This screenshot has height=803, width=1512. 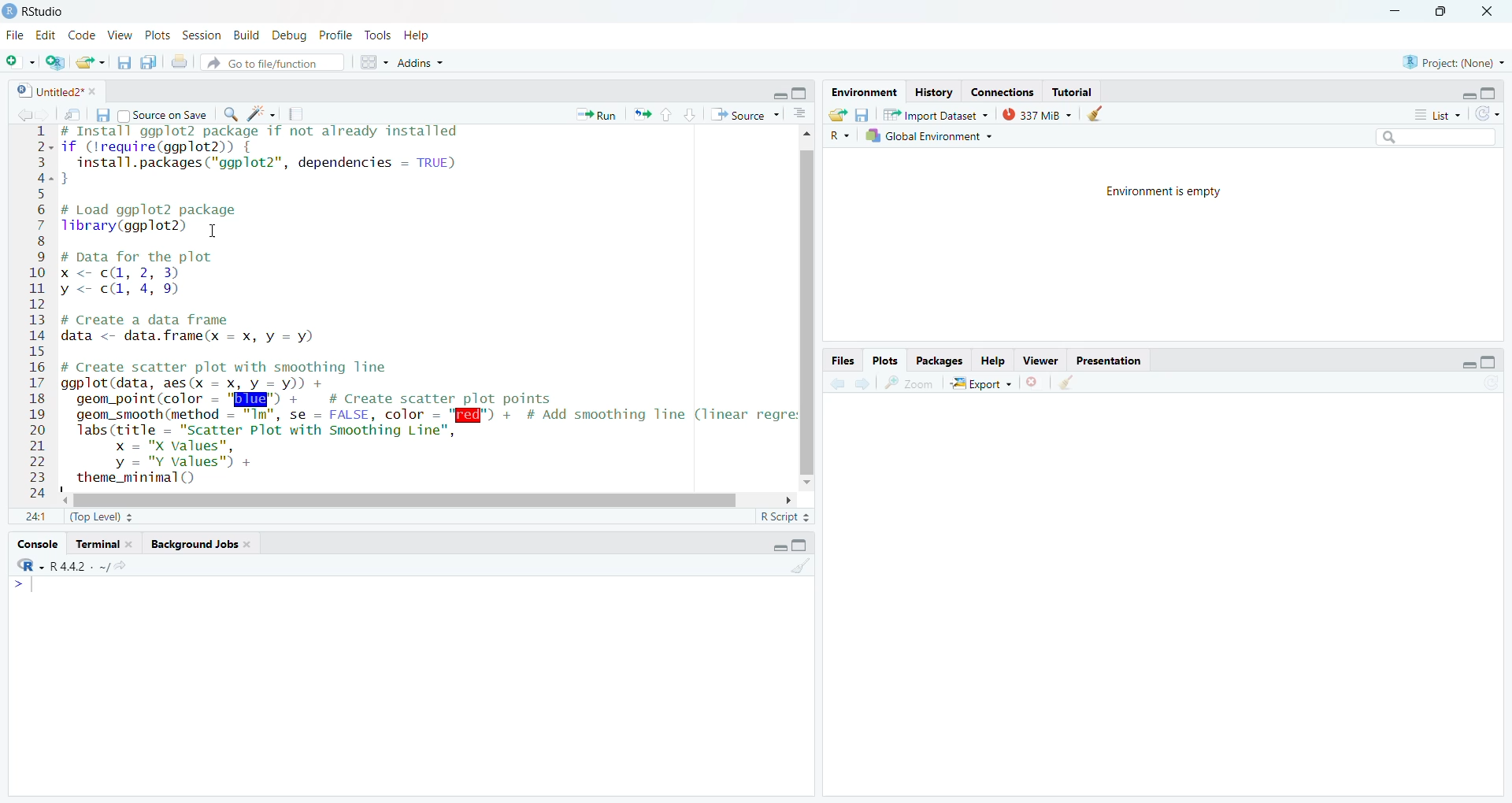 I want to click on go to next section/chunk, so click(x=692, y=115).